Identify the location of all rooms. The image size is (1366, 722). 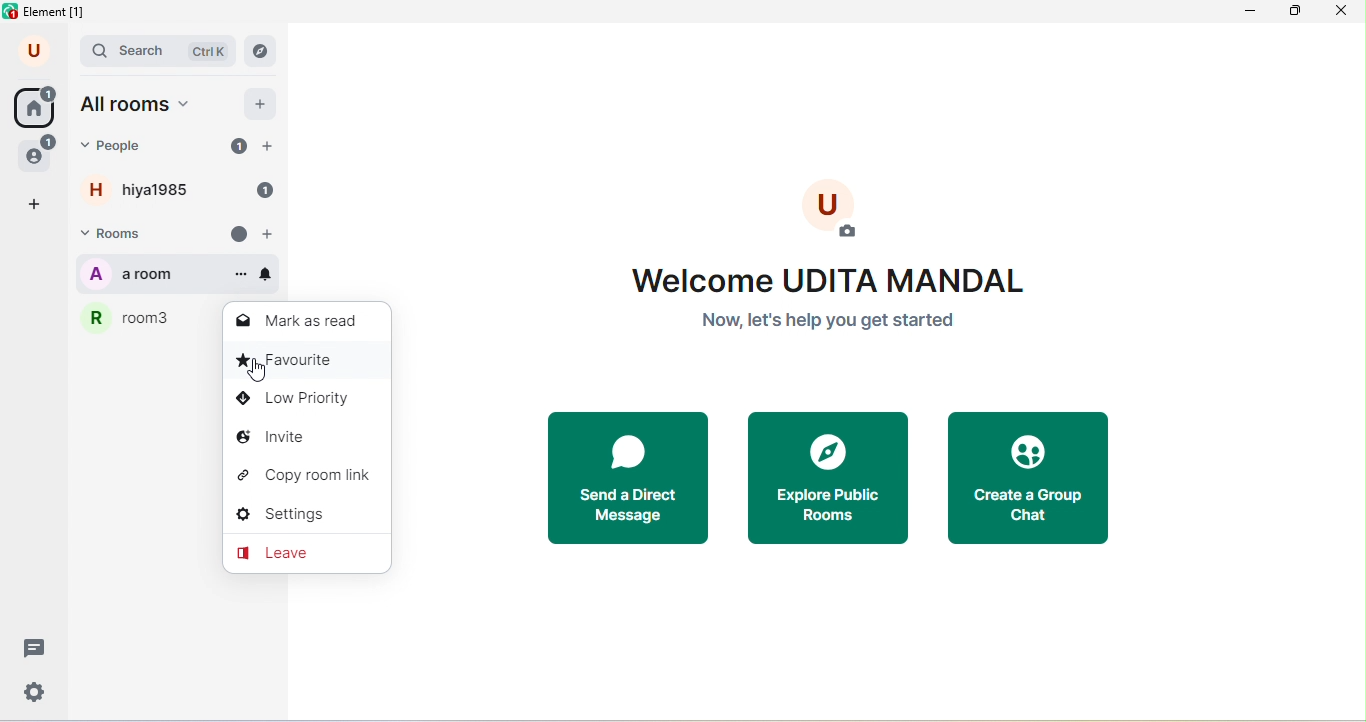
(141, 106).